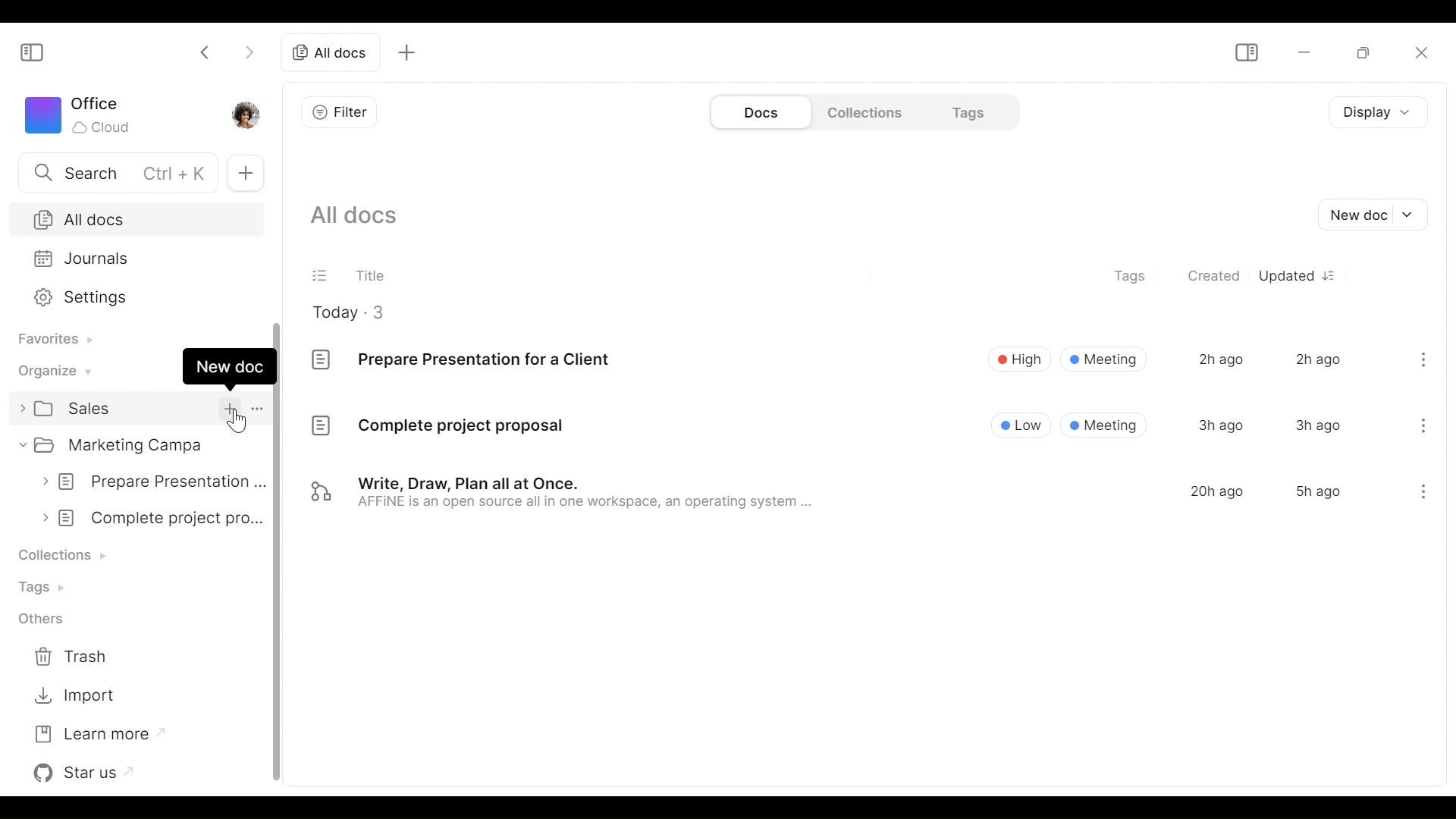 The width and height of the screenshot is (1456, 819). I want to click on Close, so click(1422, 55).